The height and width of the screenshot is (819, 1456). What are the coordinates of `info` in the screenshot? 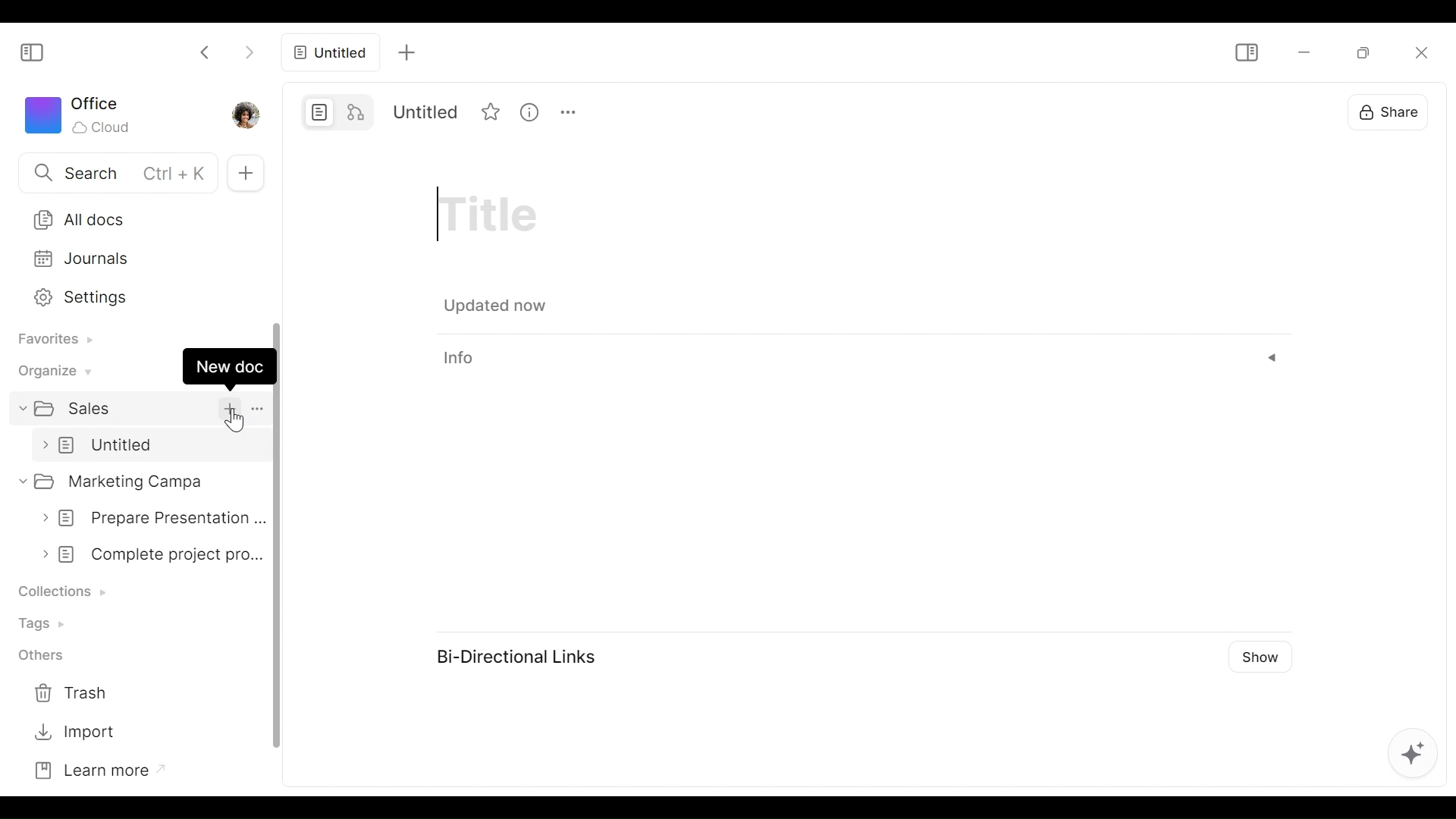 It's located at (864, 356).